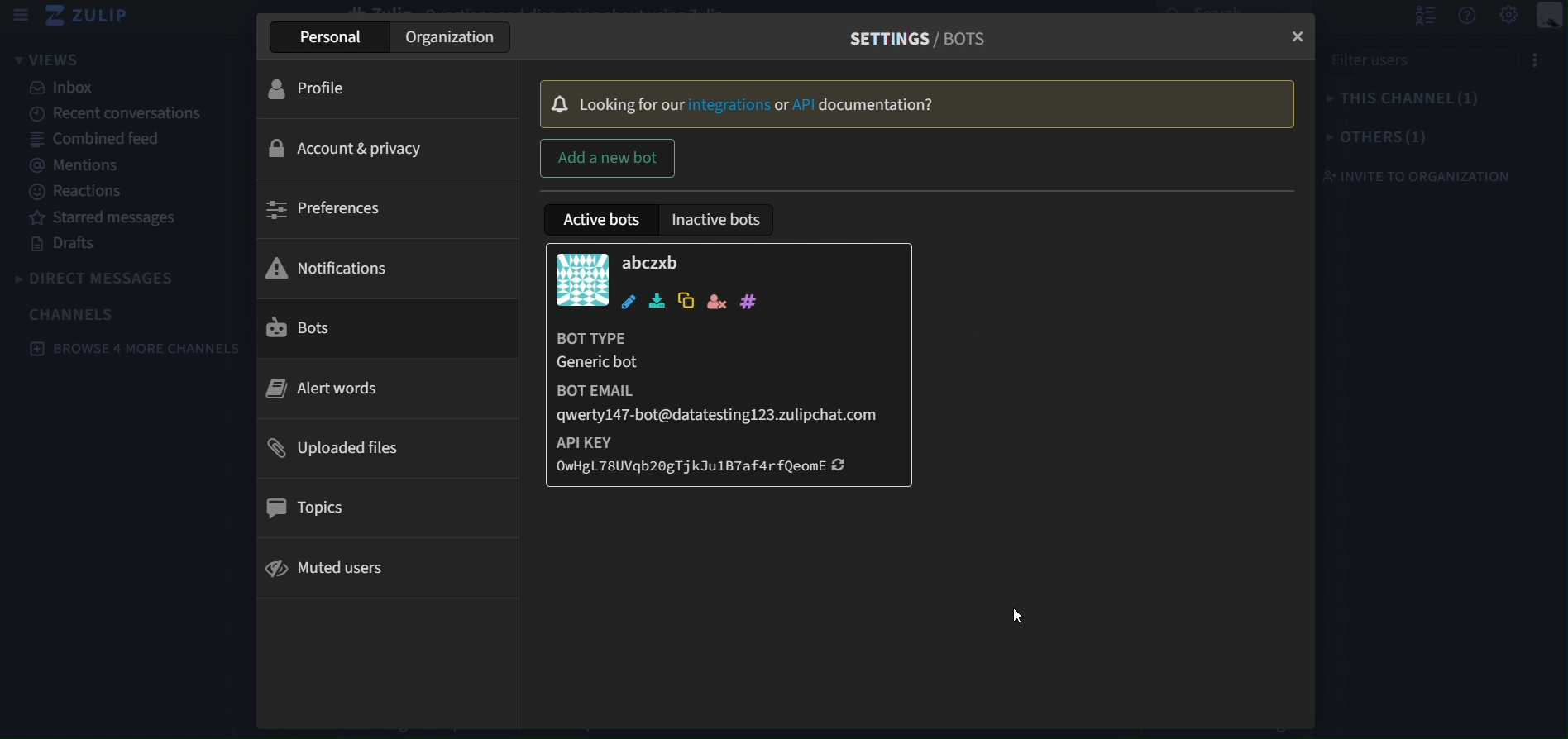 Image resolution: width=1568 pixels, height=739 pixels. What do you see at coordinates (343, 446) in the screenshot?
I see `uploaded files` at bounding box center [343, 446].